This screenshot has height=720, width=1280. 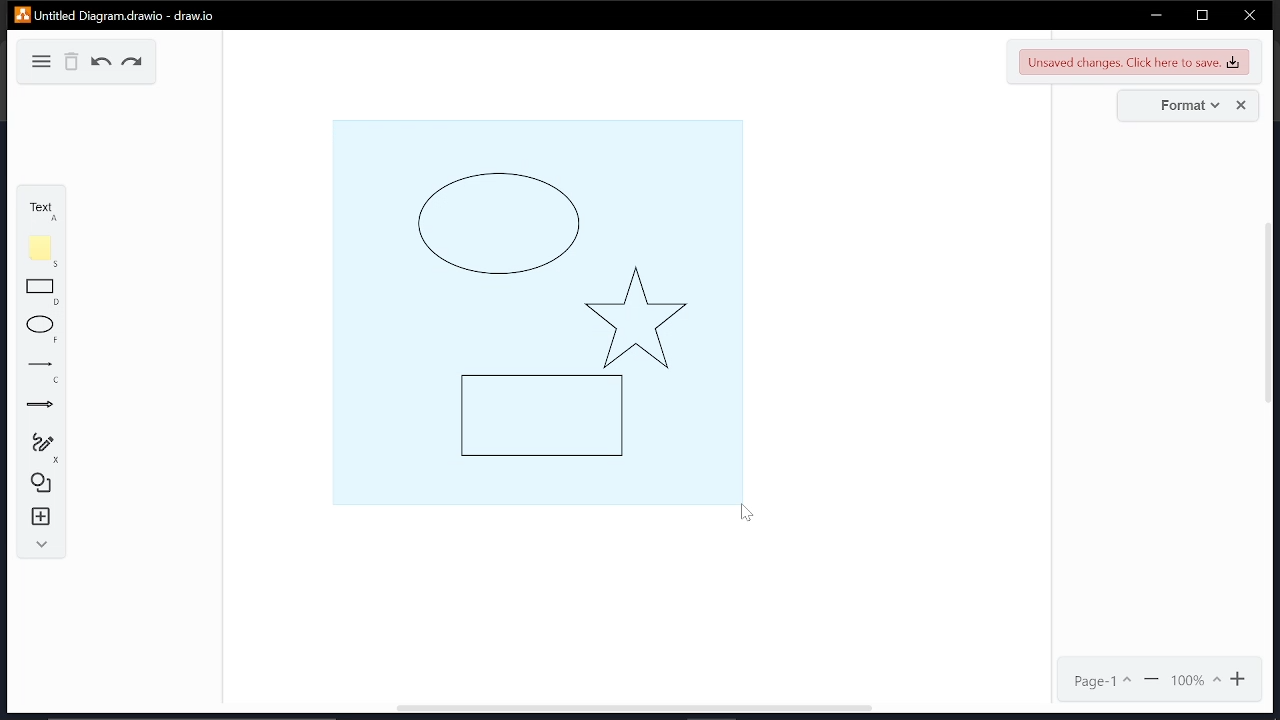 I want to click on minimize, so click(x=1156, y=15).